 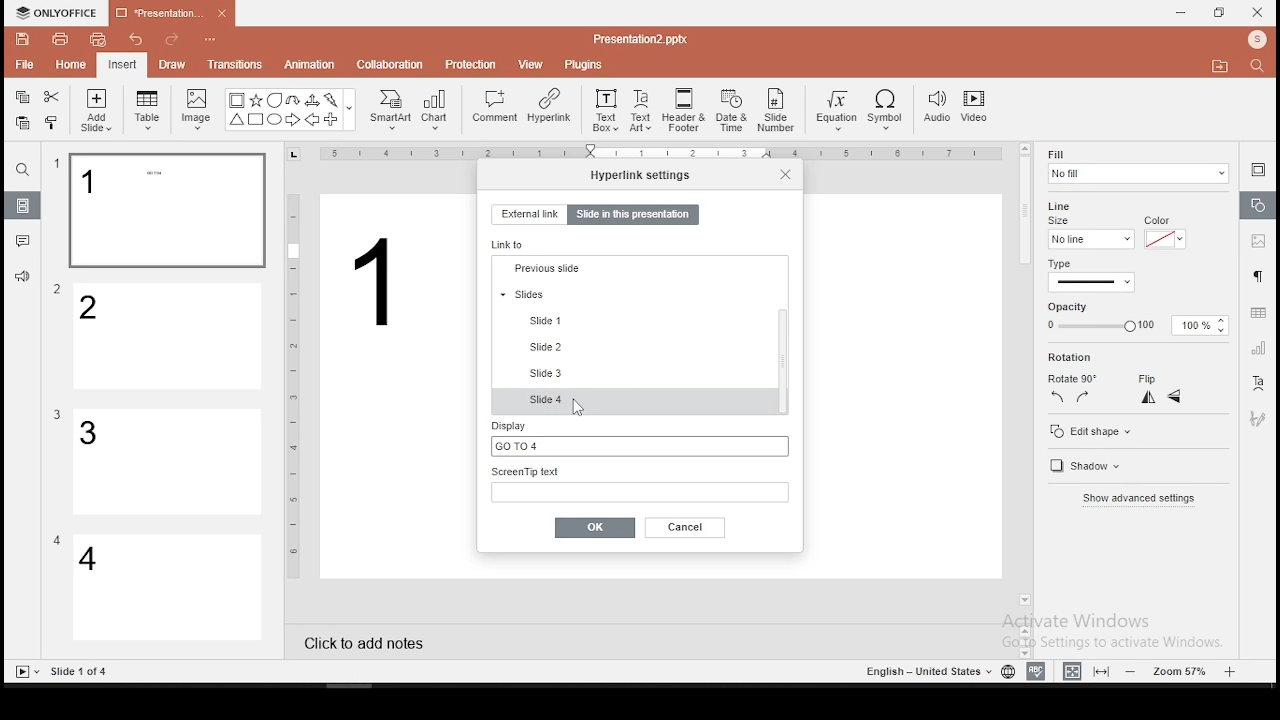 I want to click on Plus, so click(x=332, y=120).